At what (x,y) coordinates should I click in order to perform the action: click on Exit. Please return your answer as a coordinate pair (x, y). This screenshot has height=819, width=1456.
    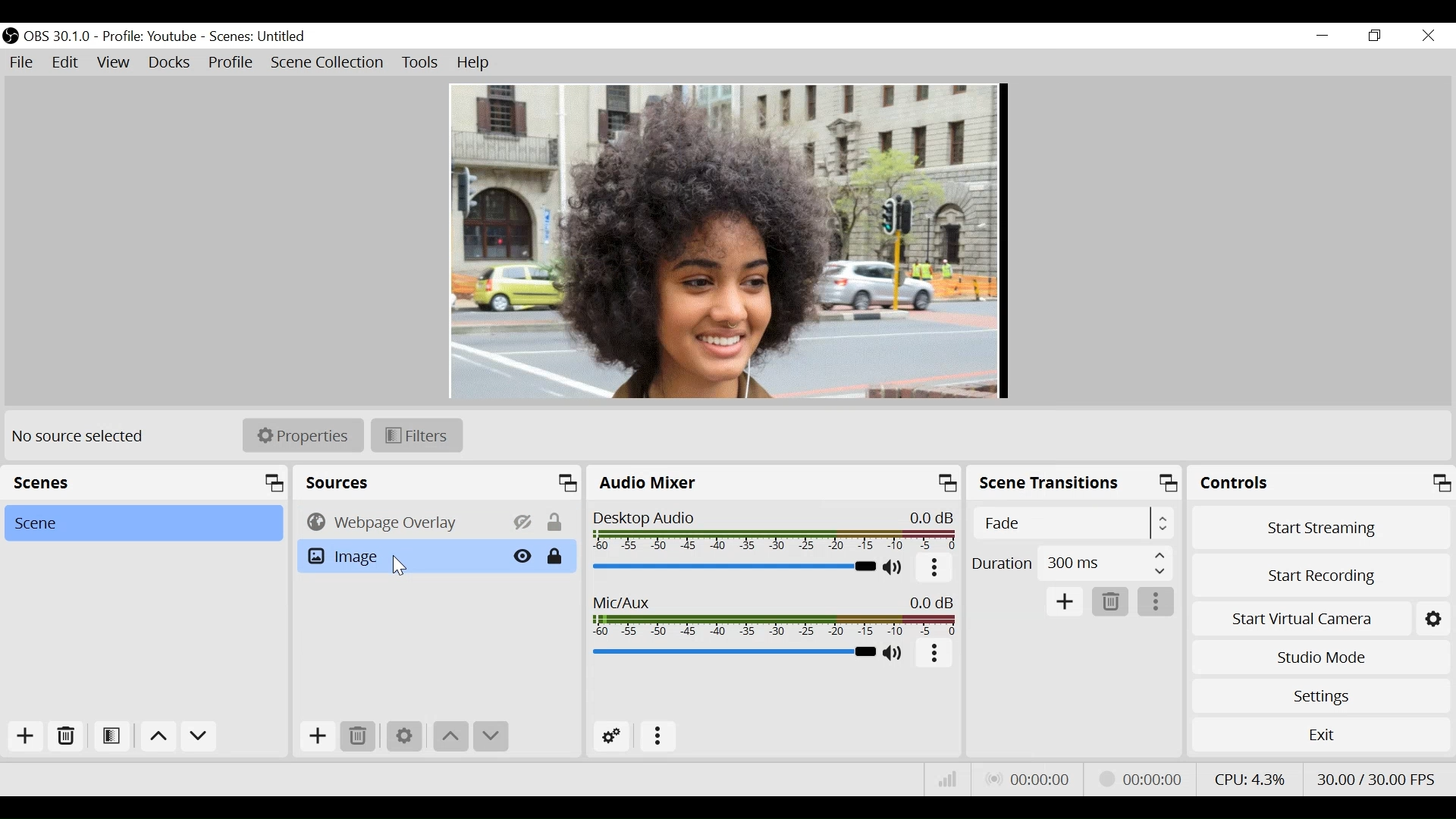
    Looking at the image, I should click on (1320, 734).